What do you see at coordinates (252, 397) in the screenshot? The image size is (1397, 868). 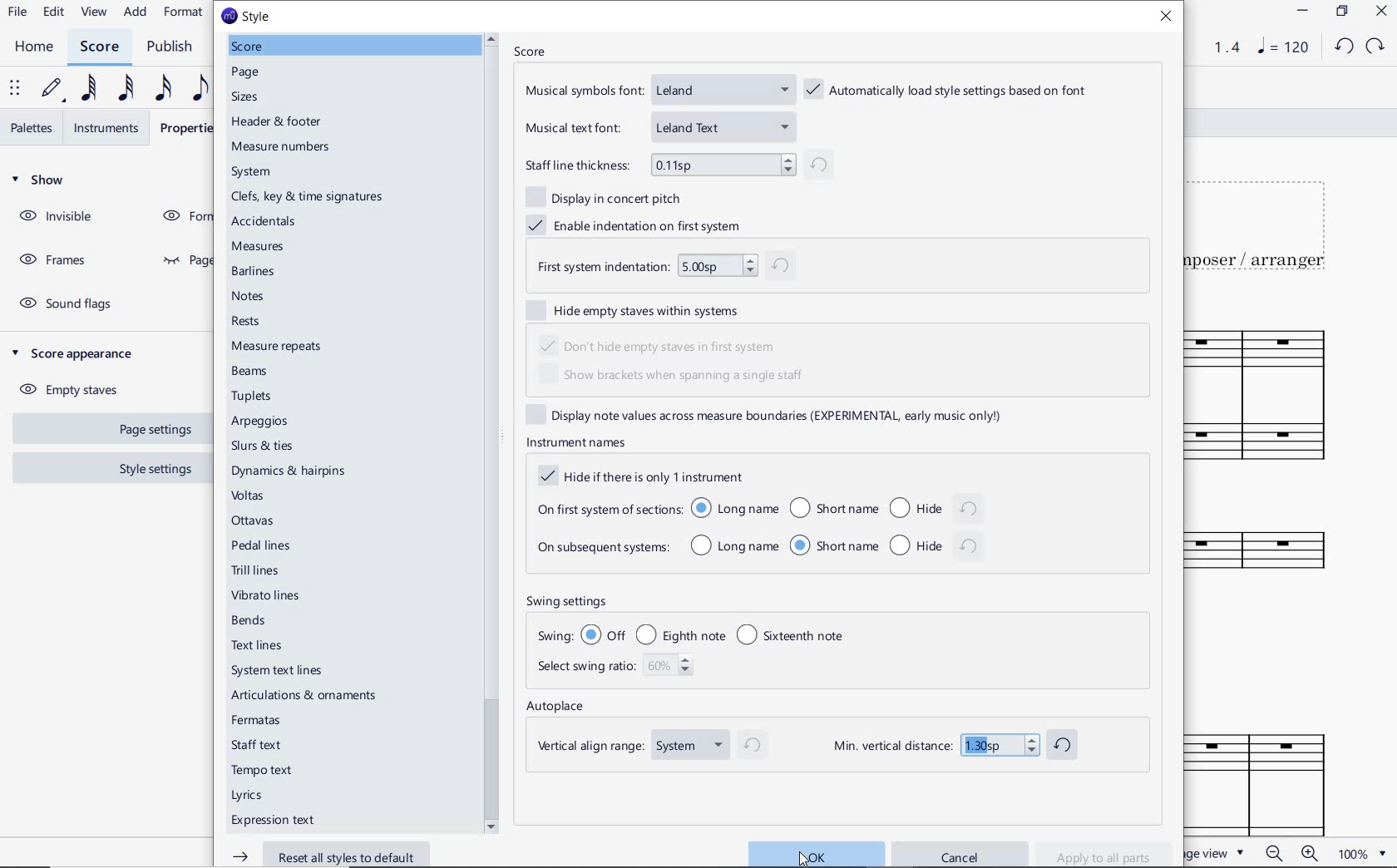 I see `tuplets` at bounding box center [252, 397].